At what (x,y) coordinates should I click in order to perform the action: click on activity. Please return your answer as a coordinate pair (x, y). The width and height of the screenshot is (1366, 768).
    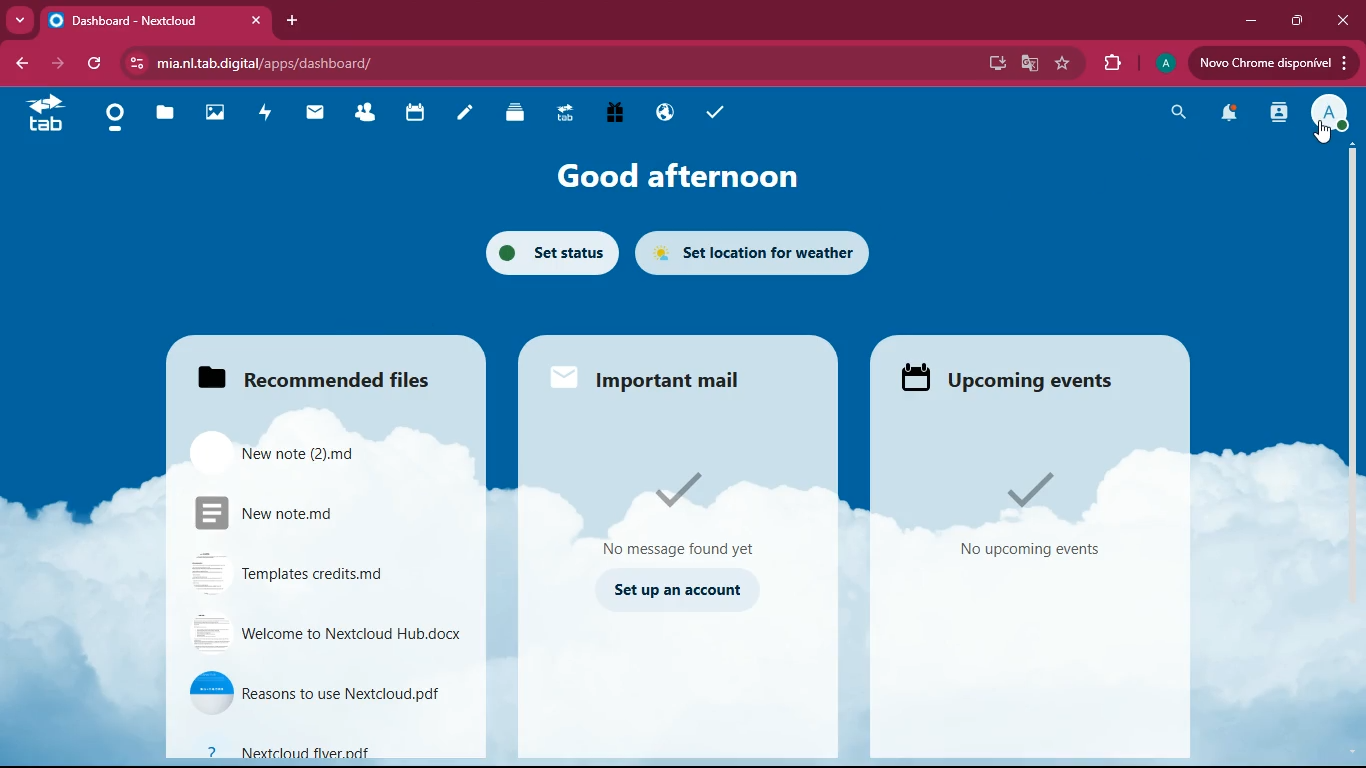
    Looking at the image, I should click on (270, 114).